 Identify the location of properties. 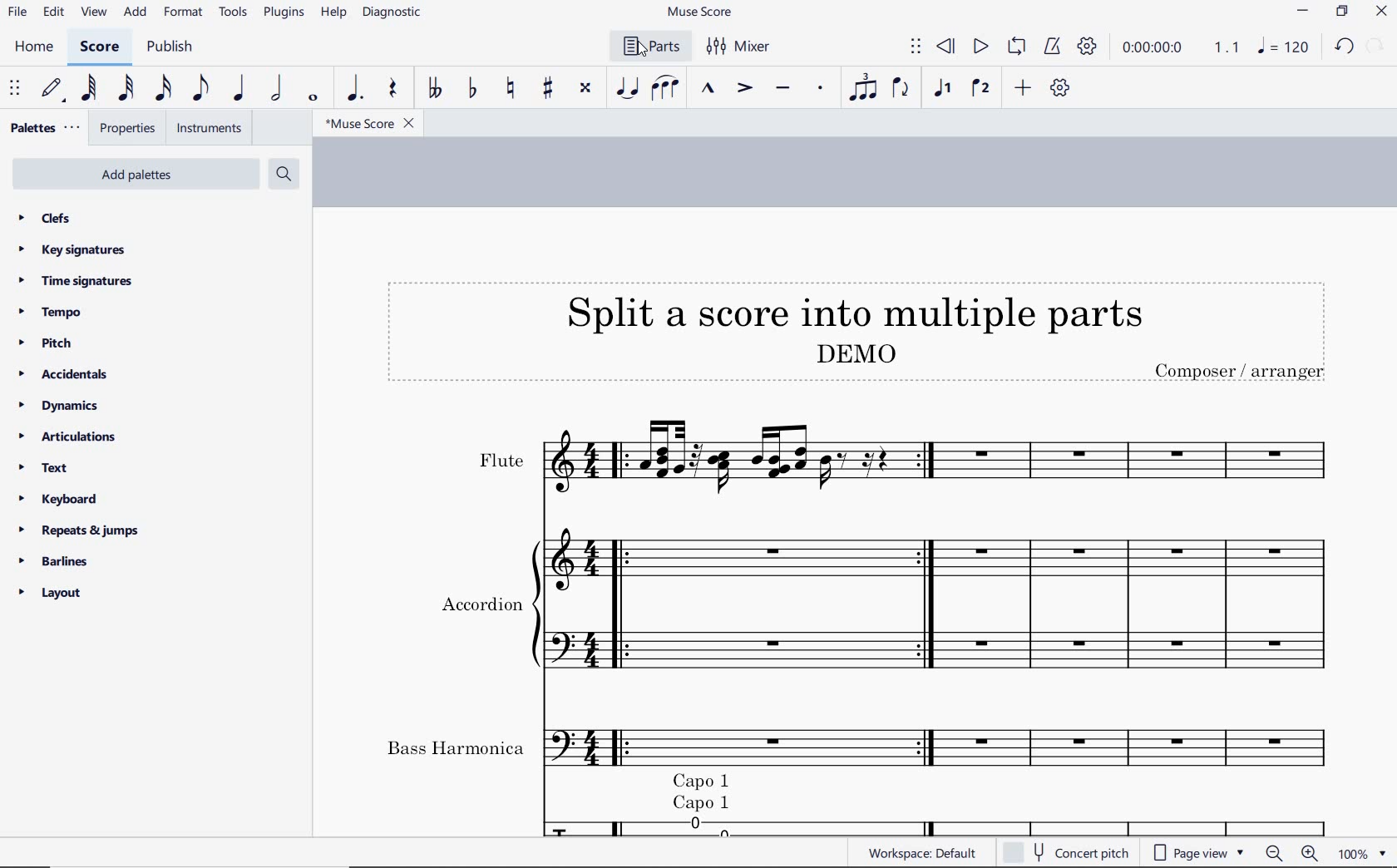
(130, 129).